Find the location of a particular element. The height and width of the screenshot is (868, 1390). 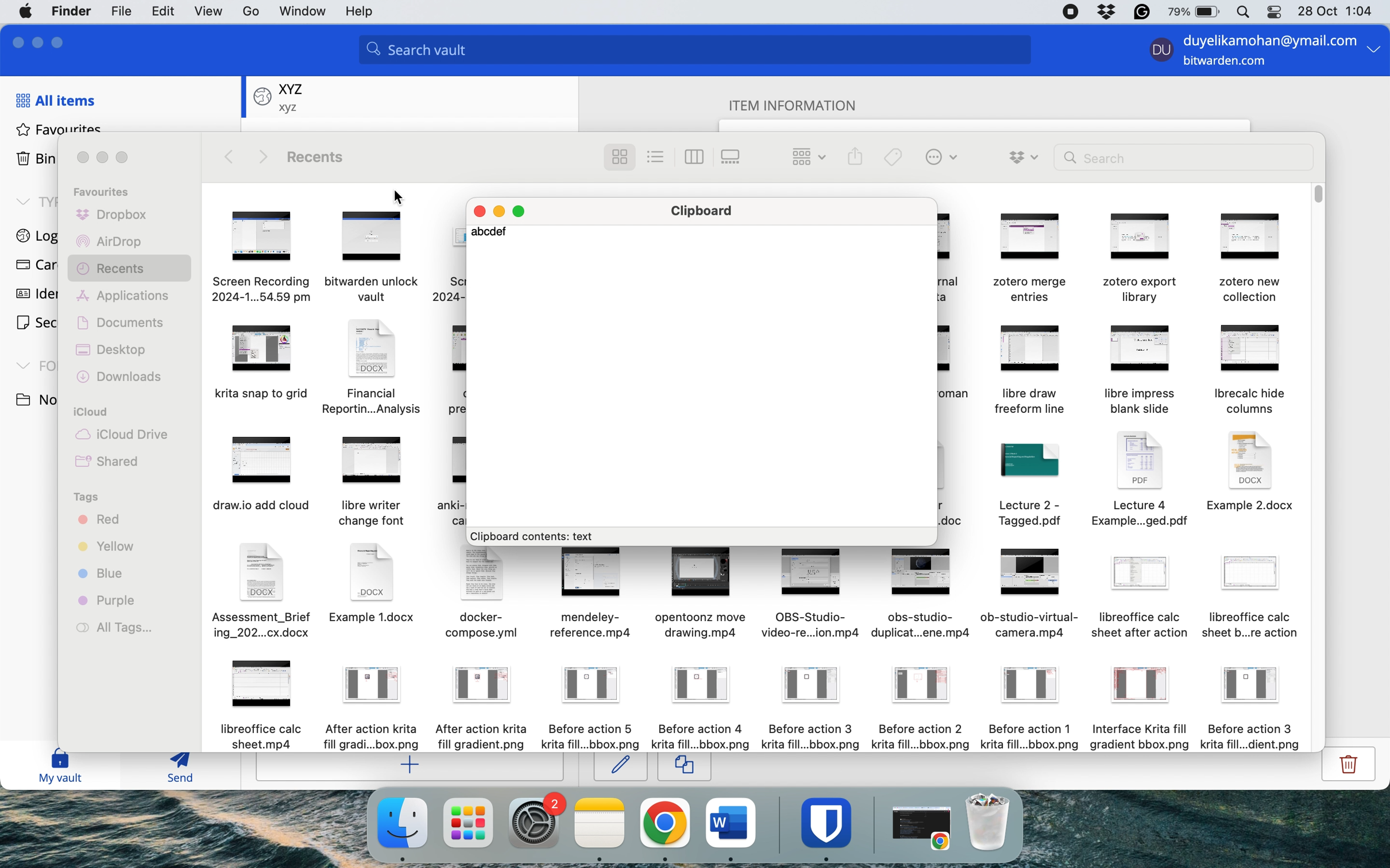

icloud is located at coordinates (94, 413).